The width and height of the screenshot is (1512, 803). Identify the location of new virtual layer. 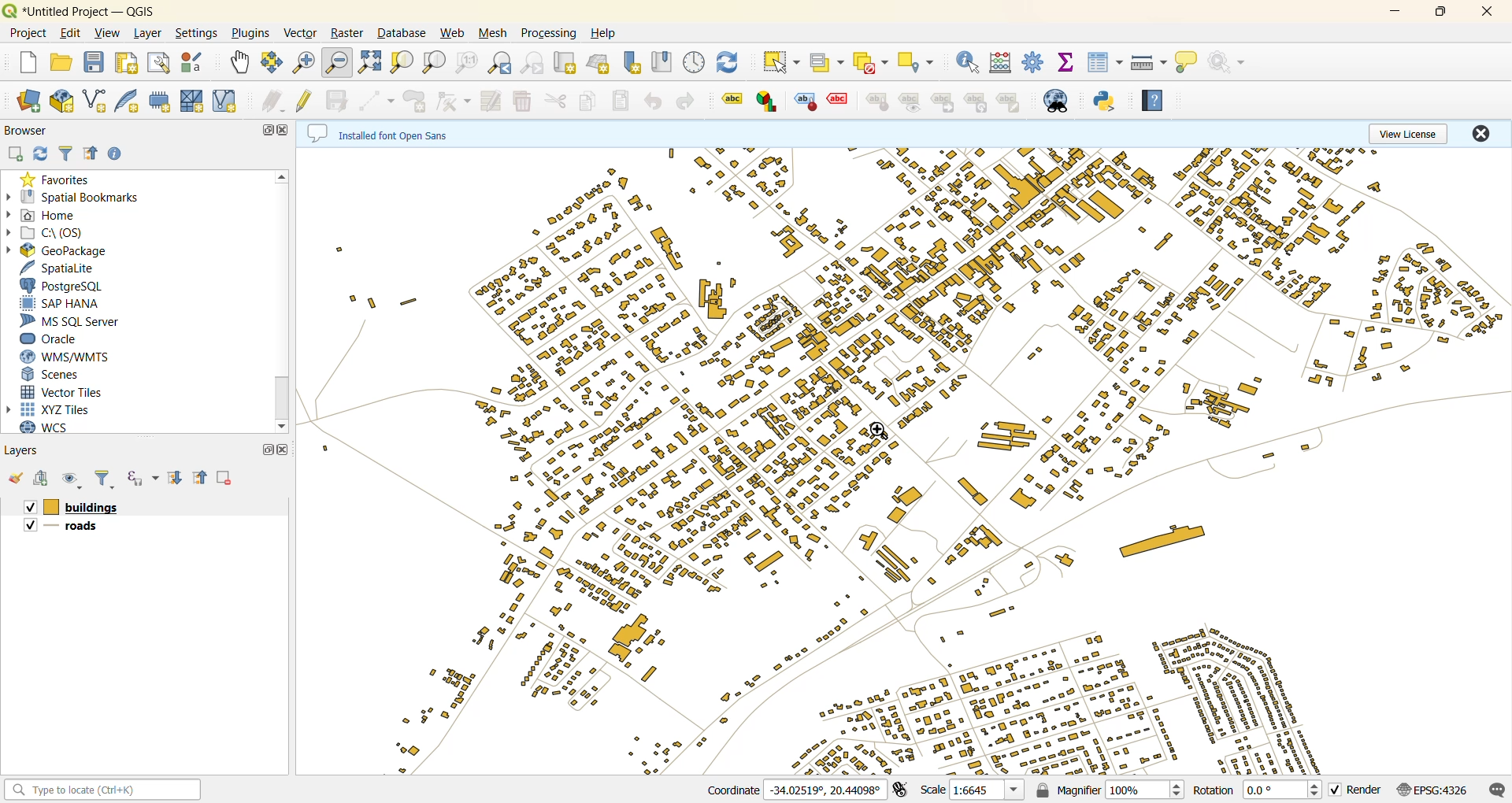
(232, 102).